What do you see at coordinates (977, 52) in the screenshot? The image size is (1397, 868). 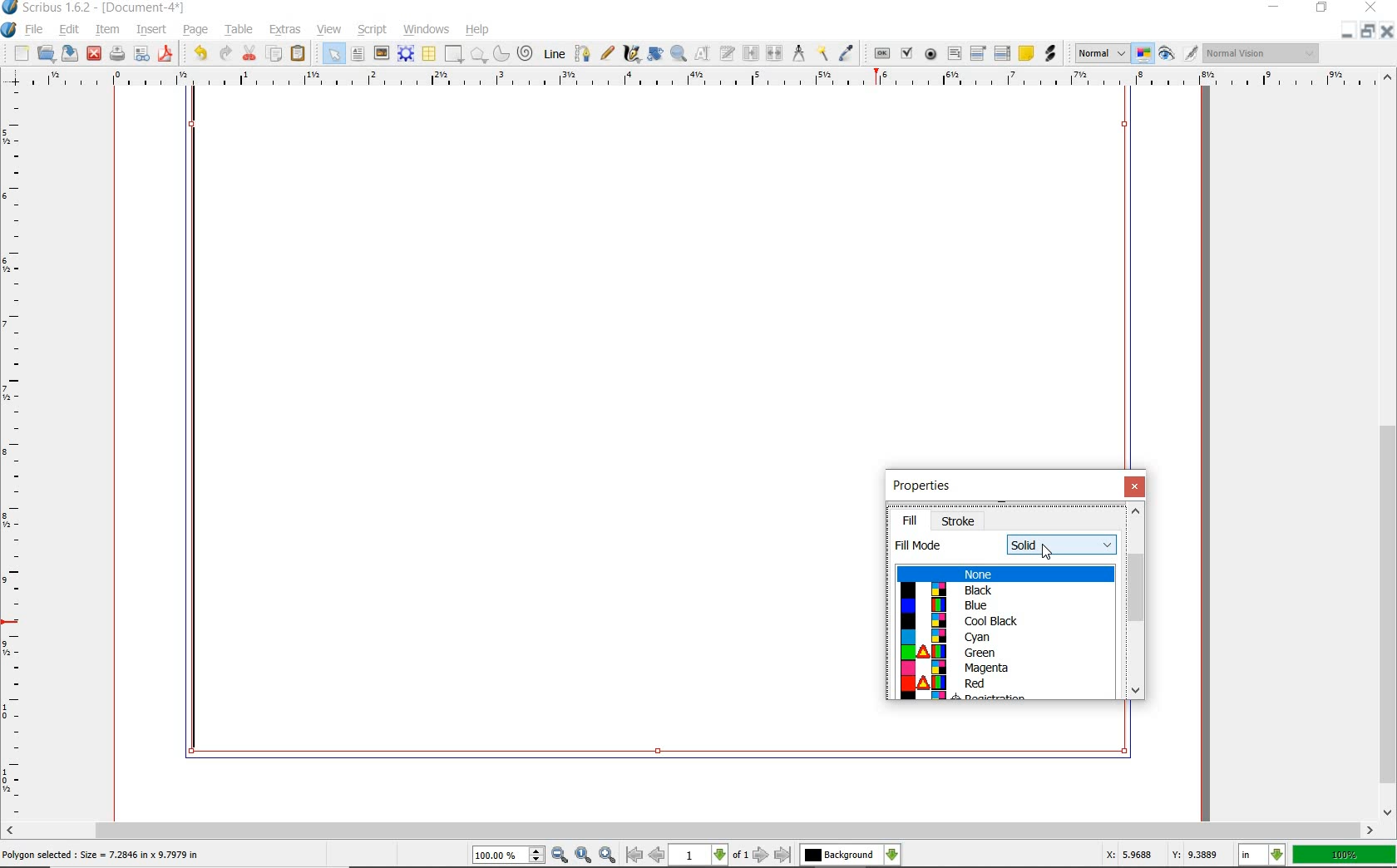 I see `pdf combo box` at bounding box center [977, 52].